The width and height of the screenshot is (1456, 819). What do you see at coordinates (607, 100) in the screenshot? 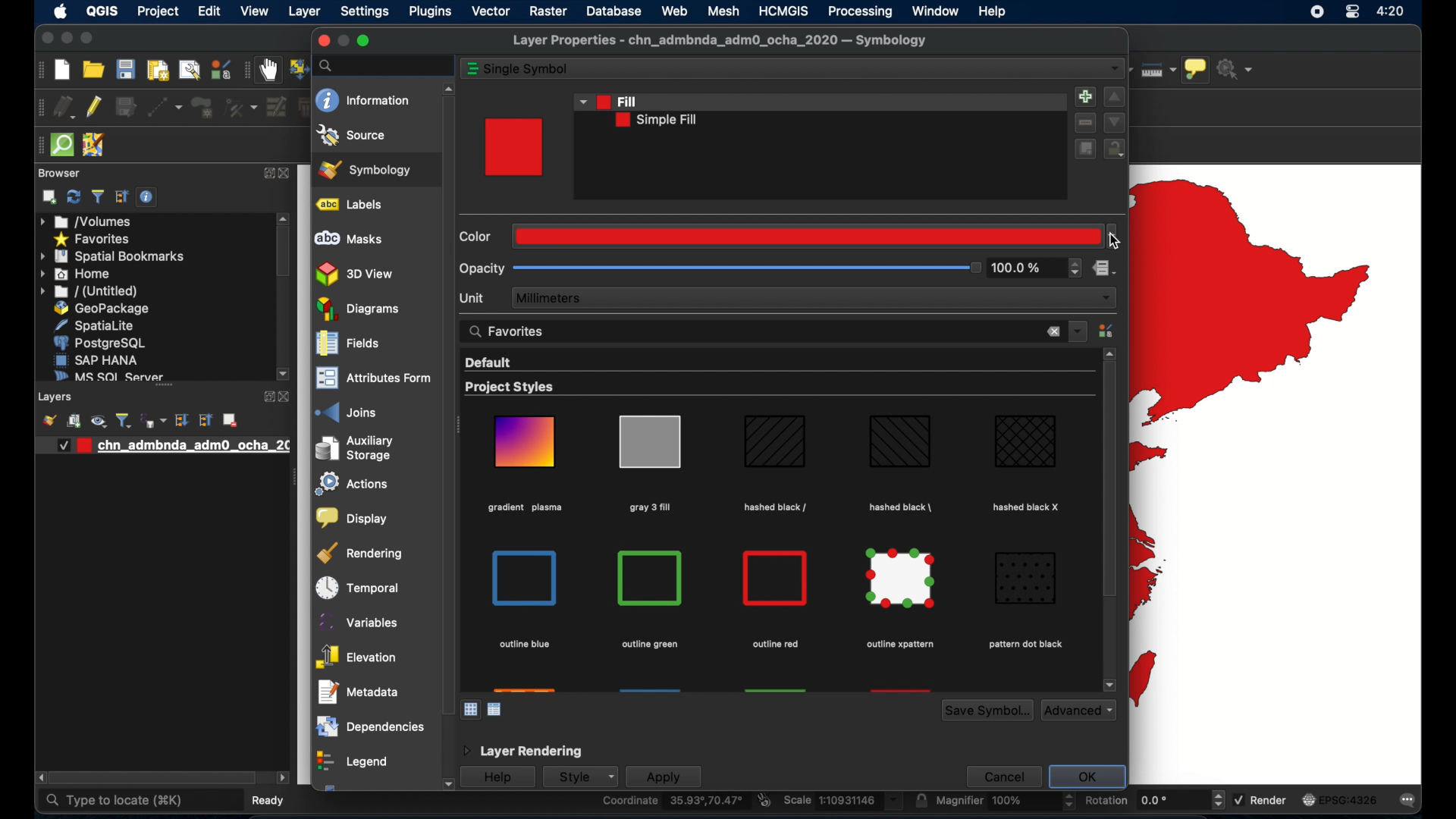
I see `fill` at bounding box center [607, 100].